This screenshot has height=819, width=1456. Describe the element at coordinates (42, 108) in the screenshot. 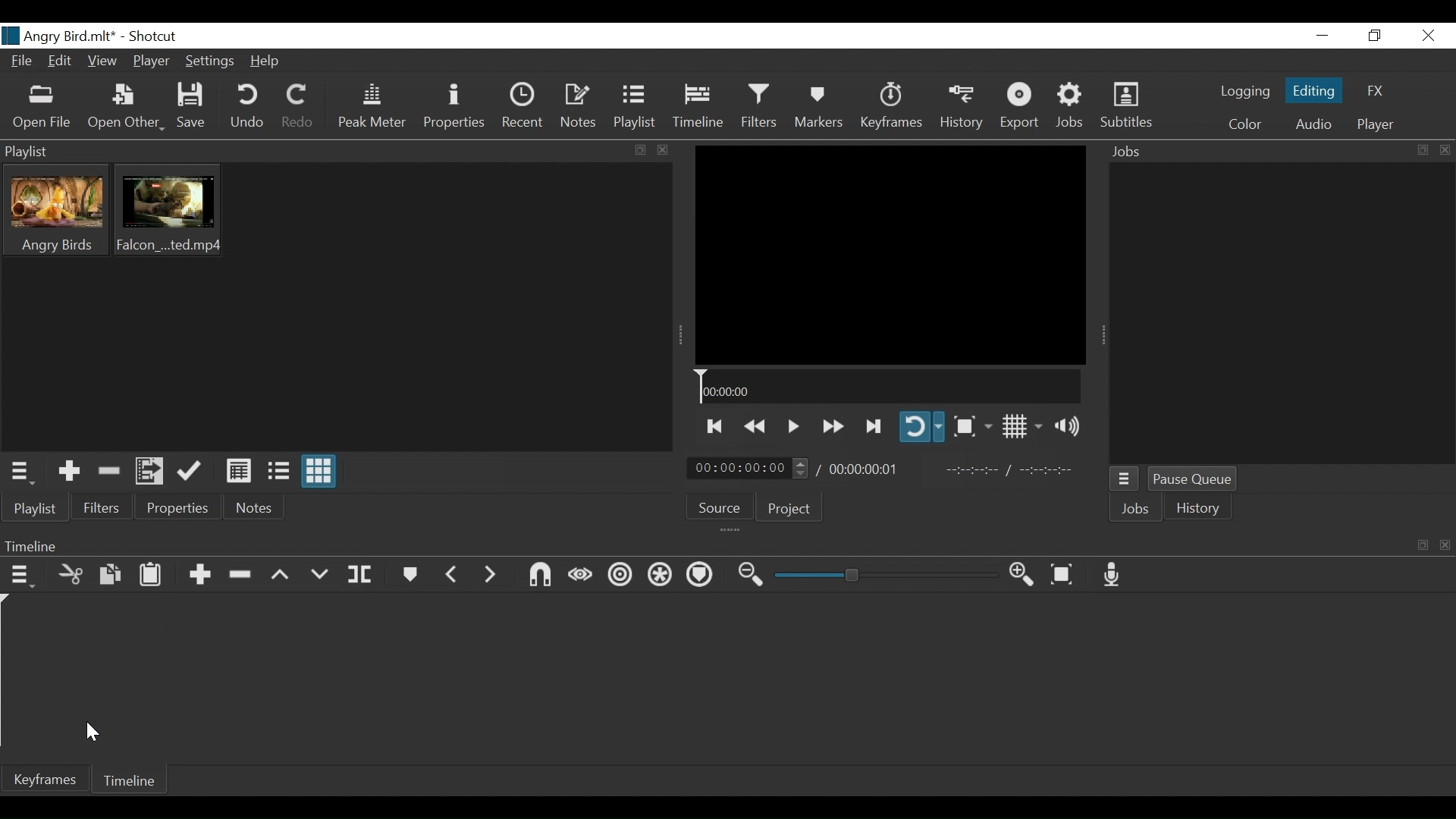

I see `Open File` at that location.